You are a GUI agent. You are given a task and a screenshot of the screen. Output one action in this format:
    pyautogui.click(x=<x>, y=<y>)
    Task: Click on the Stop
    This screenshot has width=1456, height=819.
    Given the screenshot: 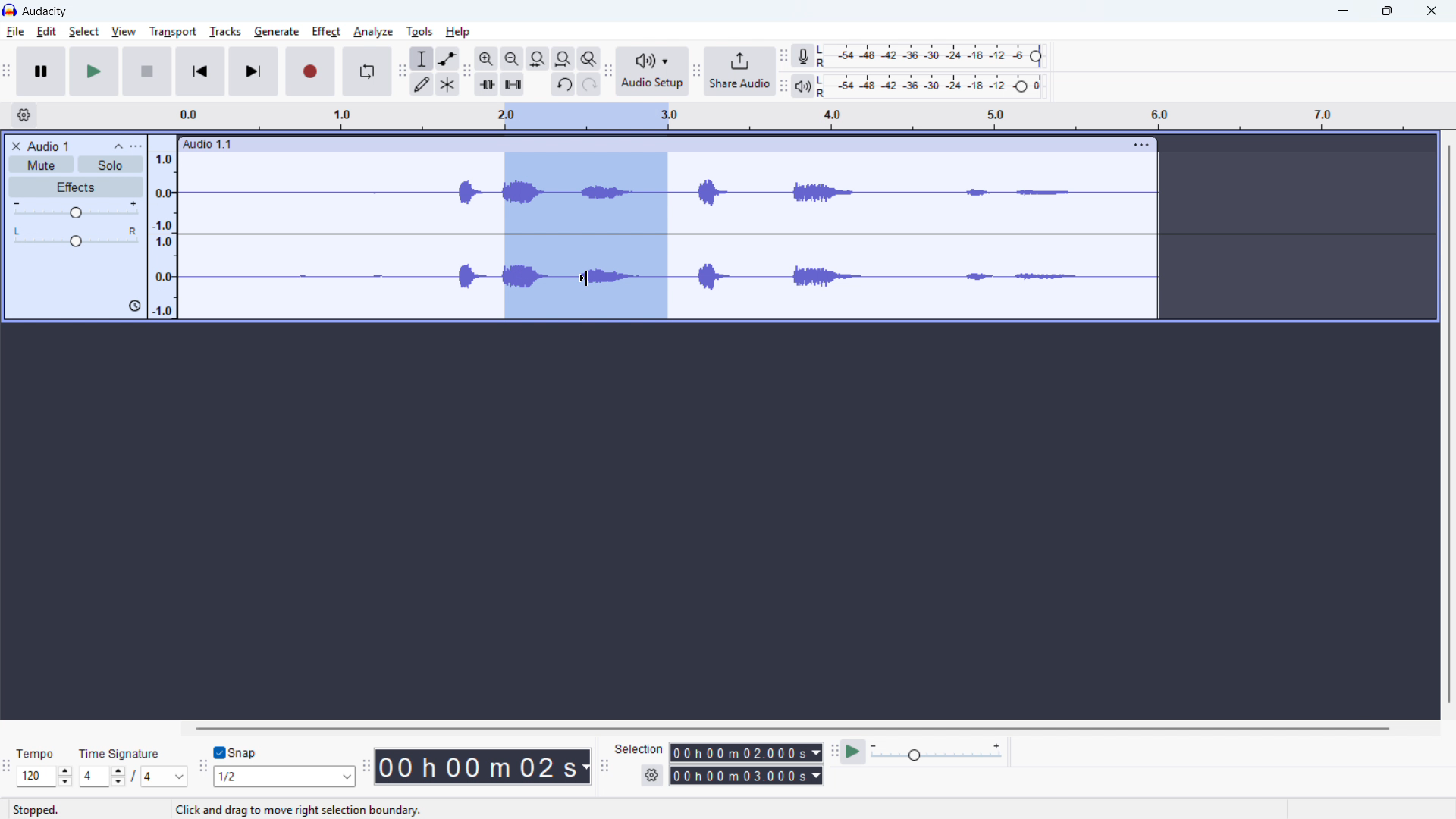 What is the action you would take?
    pyautogui.click(x=146, y=72)
    